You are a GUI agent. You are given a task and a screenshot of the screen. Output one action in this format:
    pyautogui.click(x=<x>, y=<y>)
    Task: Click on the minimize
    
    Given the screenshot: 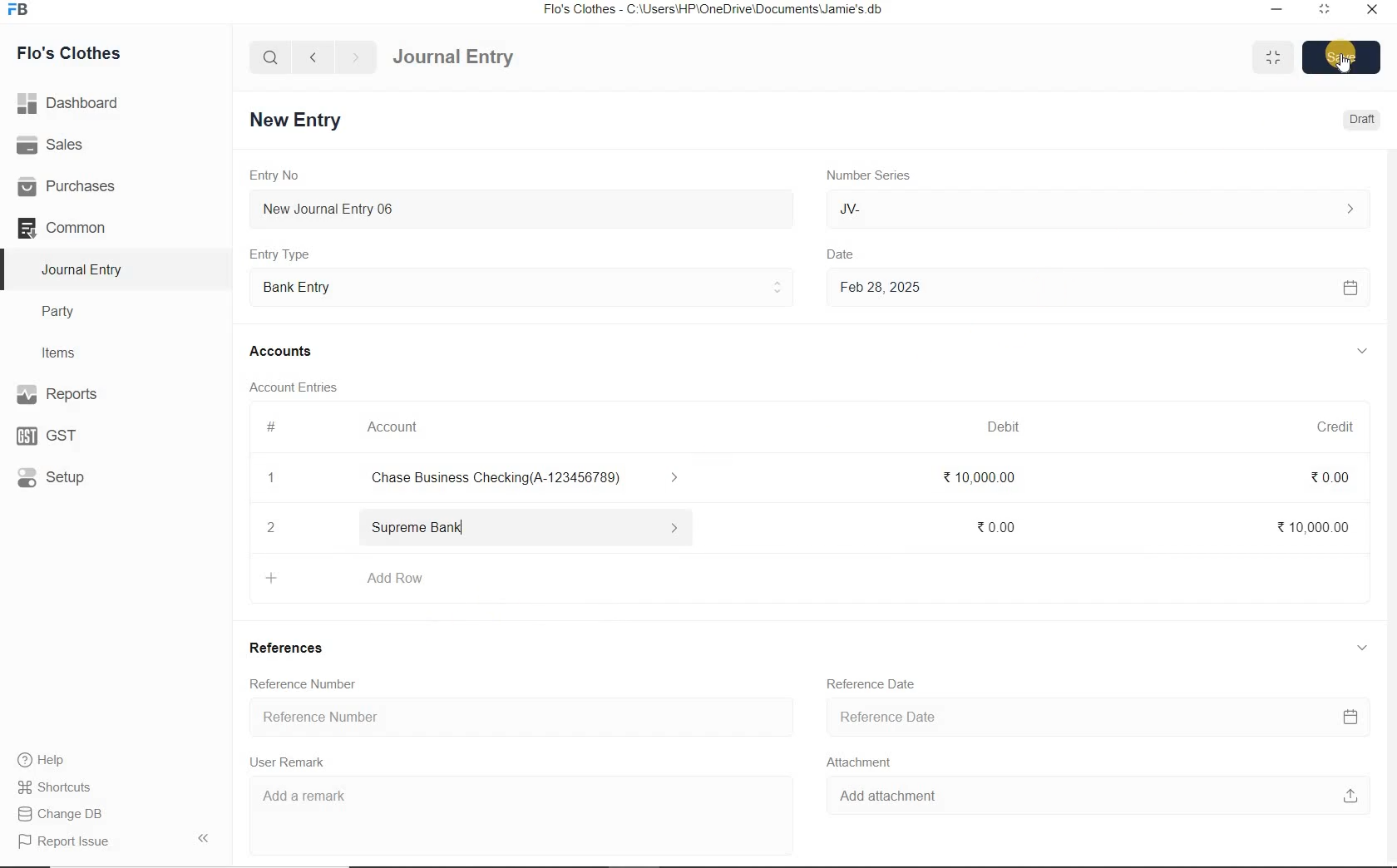 What is the action you would take?
    pyautogui.click(x=1275, y=8)
    